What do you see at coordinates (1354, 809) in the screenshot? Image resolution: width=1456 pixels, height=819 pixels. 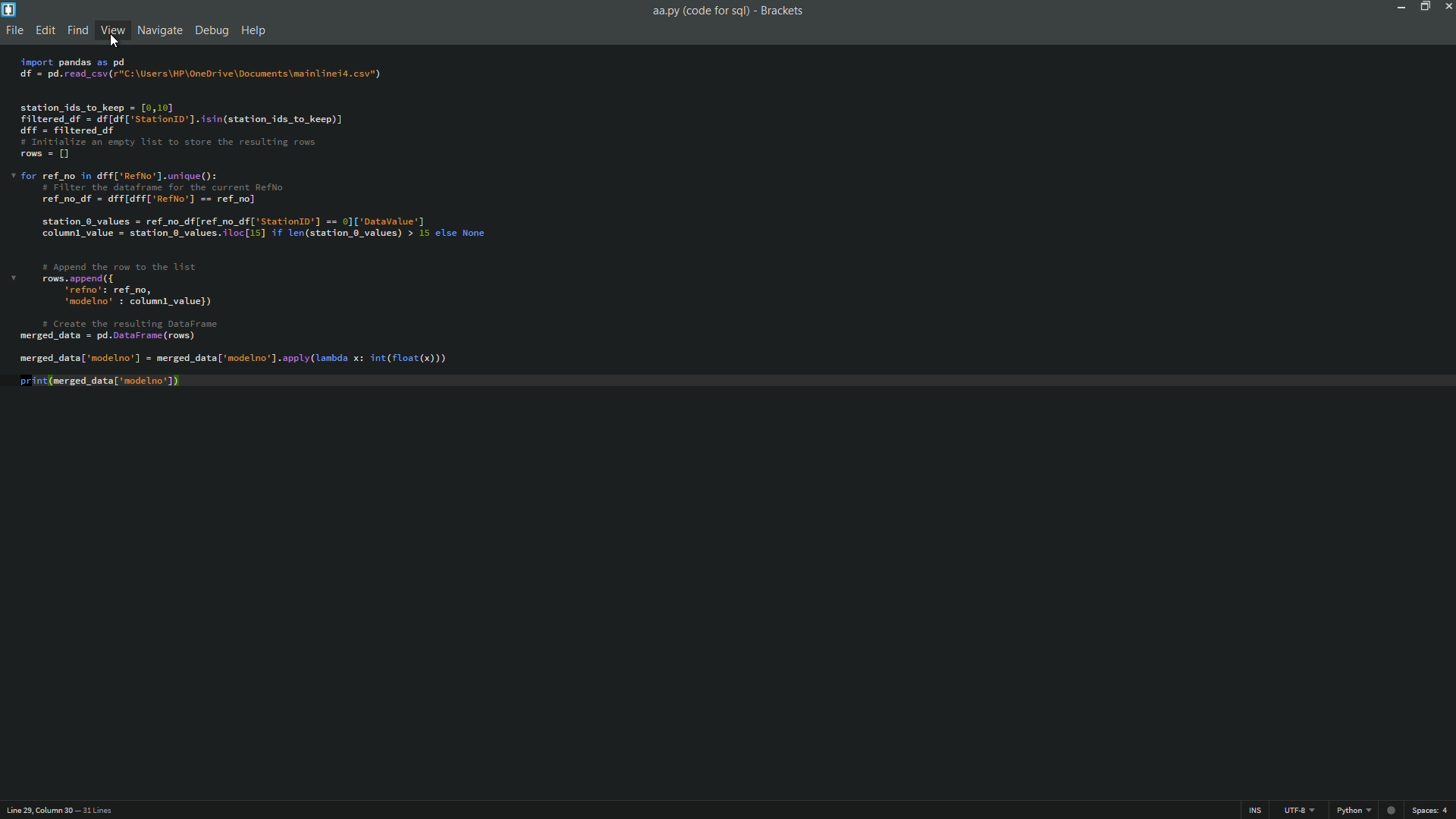 I see `file format button` at bounding box center [1354, 809].